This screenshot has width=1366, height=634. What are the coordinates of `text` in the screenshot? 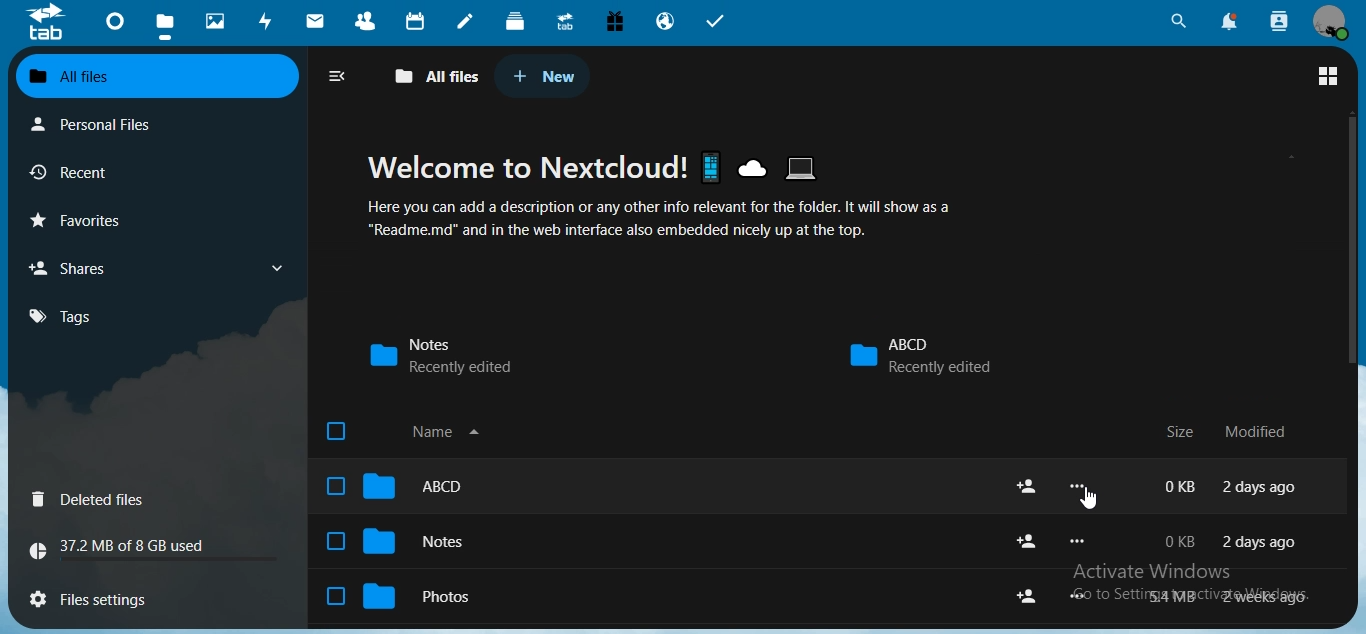 It's located at (1233, 540).